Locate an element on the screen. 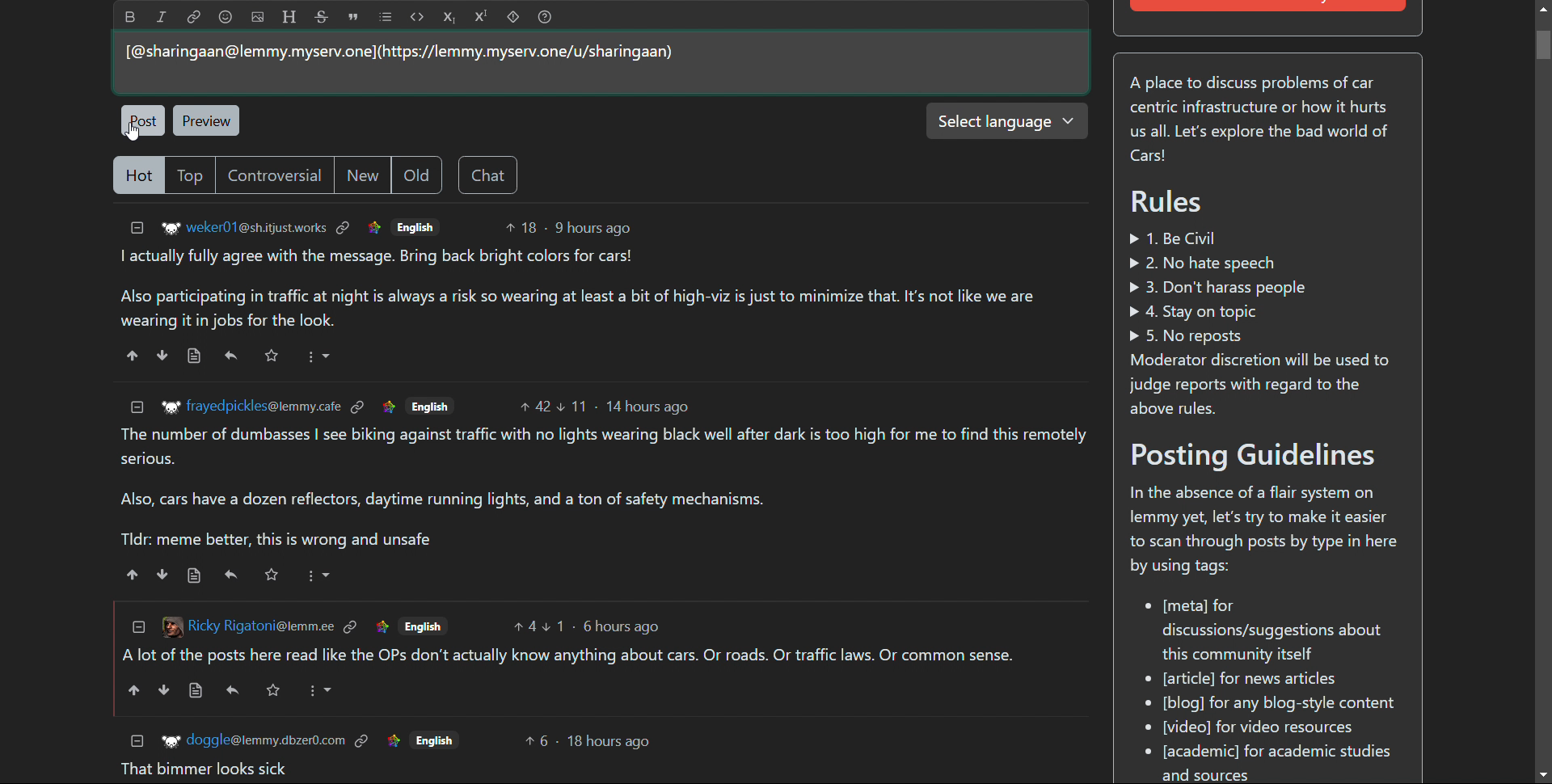 The image size is (1552, 784). Cursor is located at coordinates (132, 132).